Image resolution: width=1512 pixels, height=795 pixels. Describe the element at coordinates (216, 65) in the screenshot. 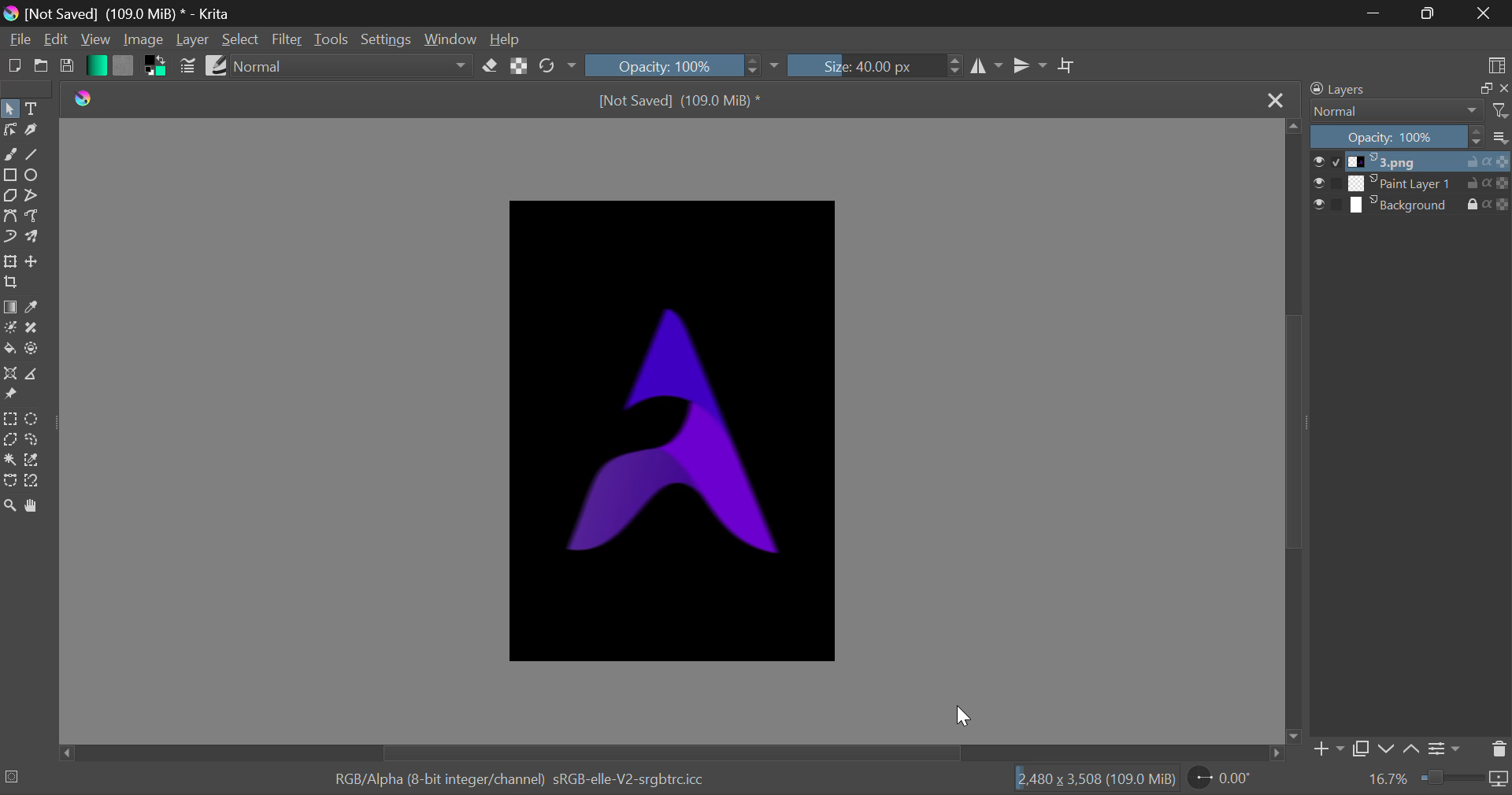

I see `Brush Presets` at that location.